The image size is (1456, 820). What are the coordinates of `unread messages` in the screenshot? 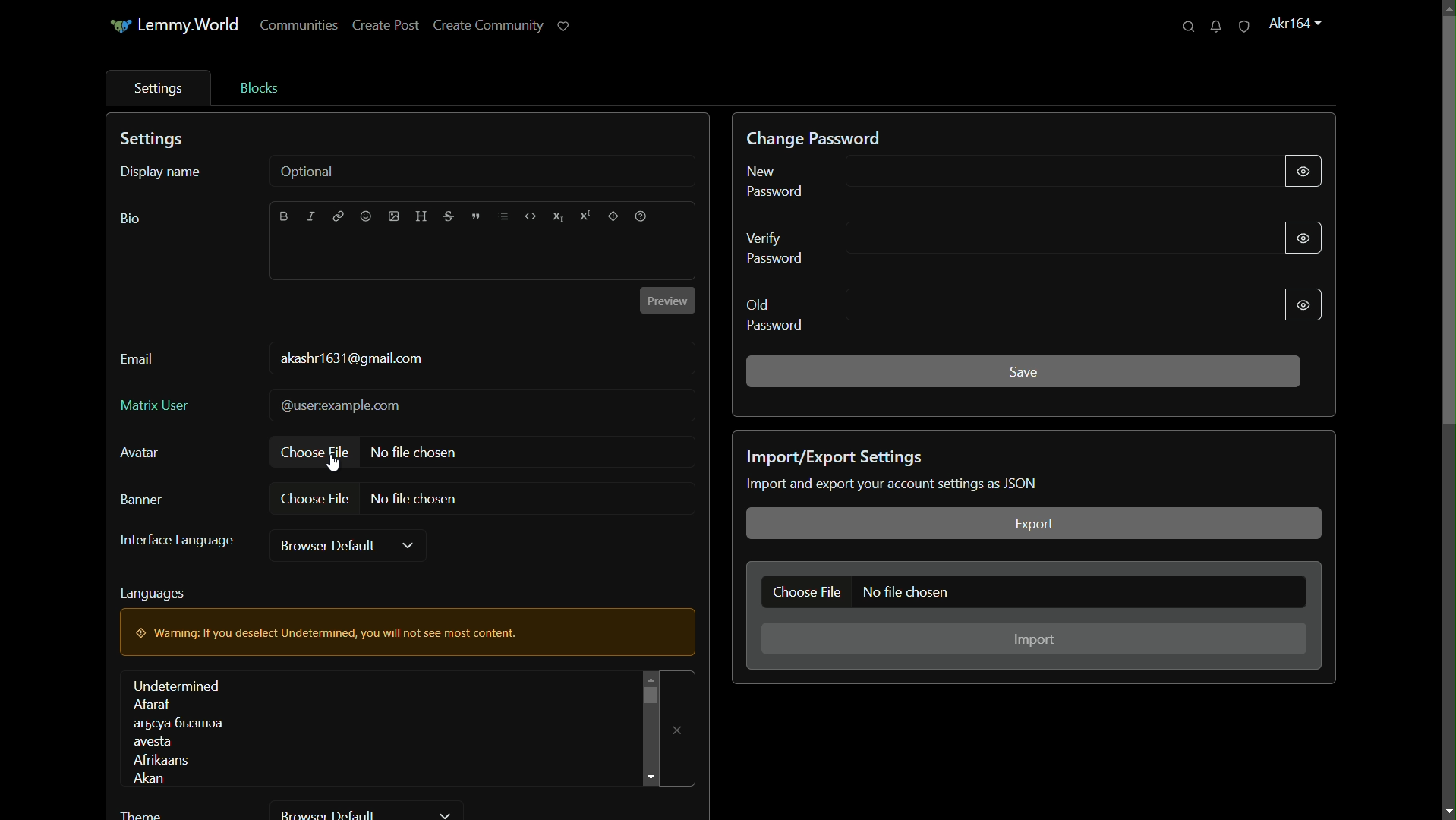 It's located at (1215, 27).